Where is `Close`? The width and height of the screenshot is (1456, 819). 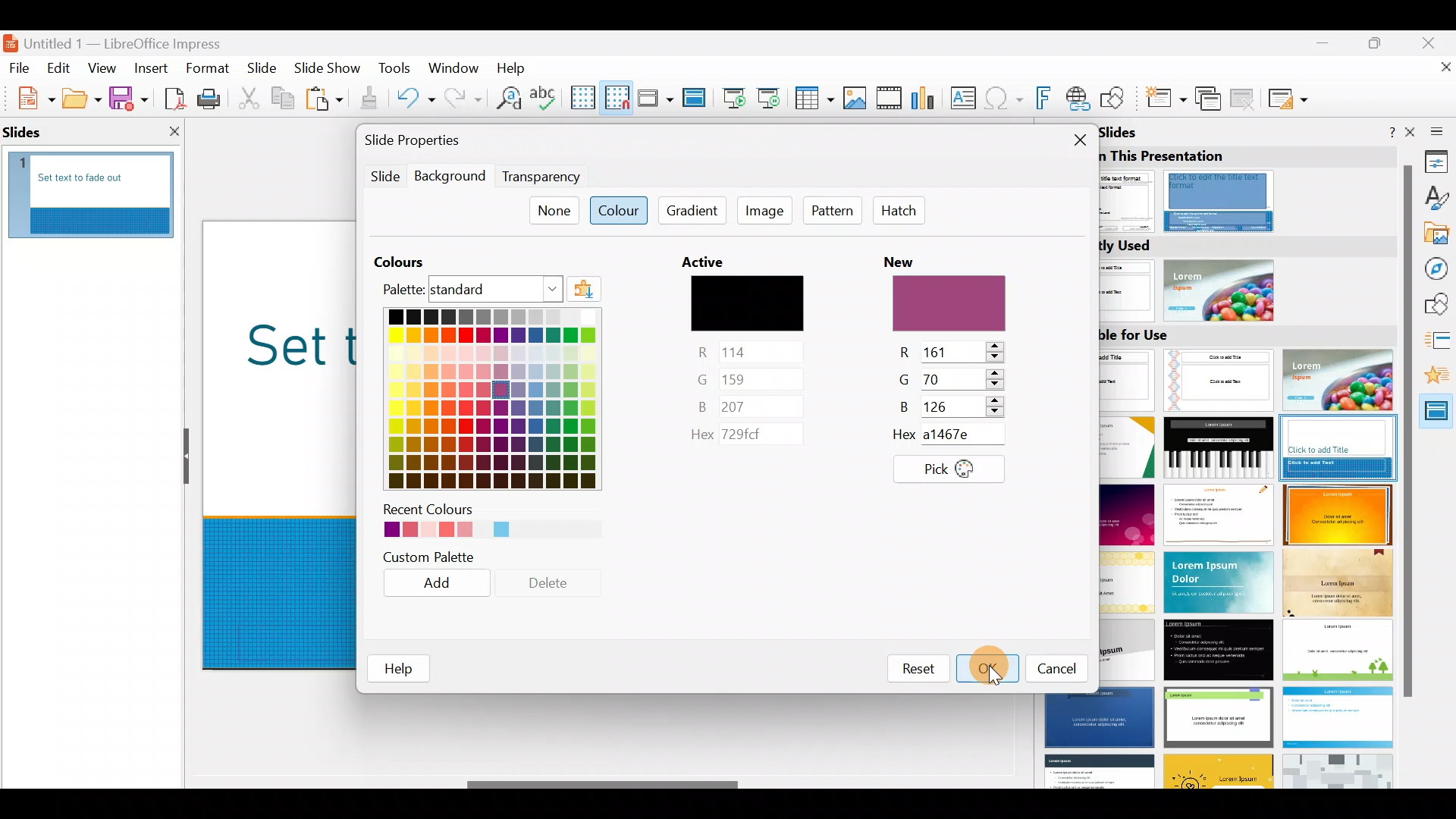
Close is located at coordinates (1434, 41).